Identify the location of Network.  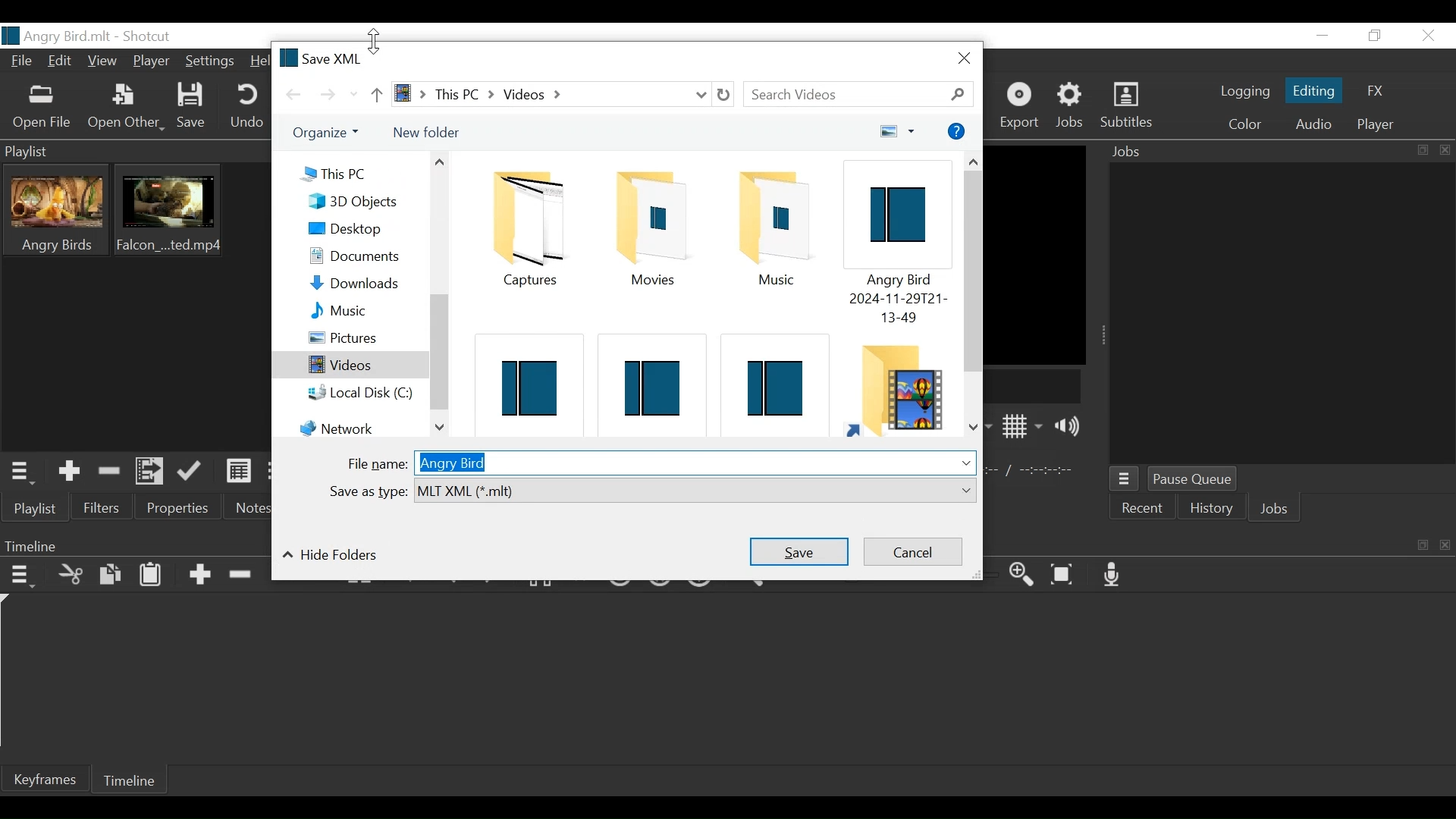
(356, 424).